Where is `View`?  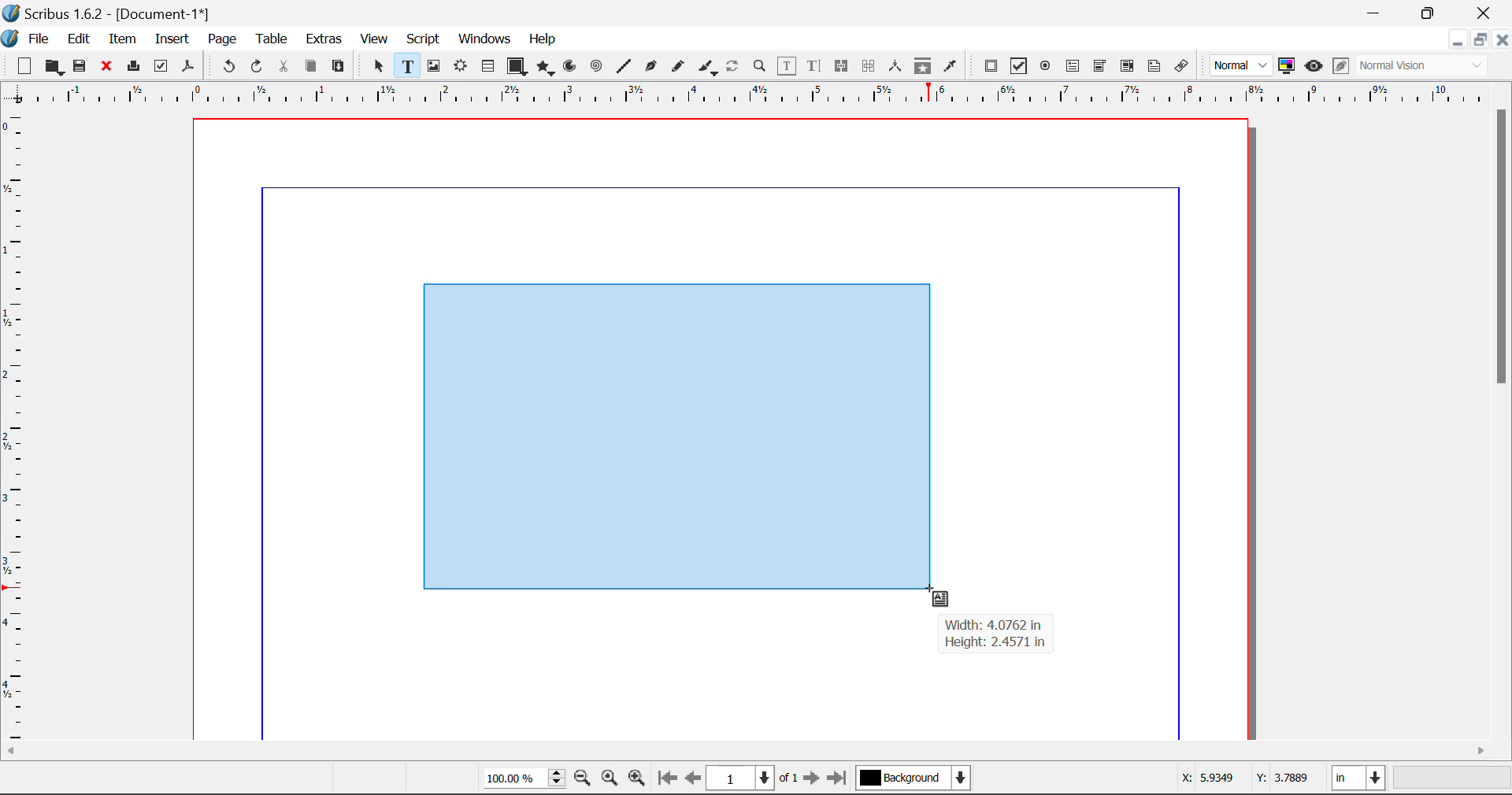 View is located at coordinates (375, 40).